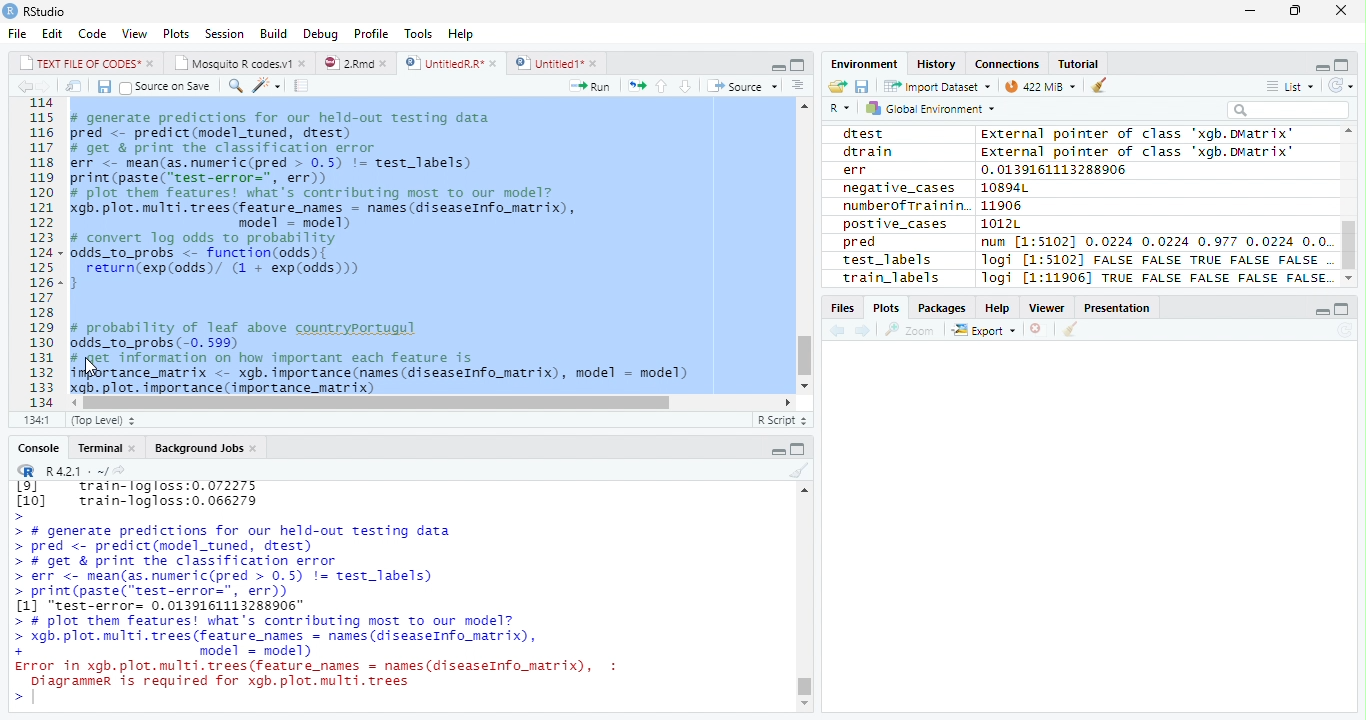 The height and width of the screenshot is (720, 1366). What do you see at coordinates (91, 367) in the screenshot?
I see `Cursor` at bounding box center [91, 367].